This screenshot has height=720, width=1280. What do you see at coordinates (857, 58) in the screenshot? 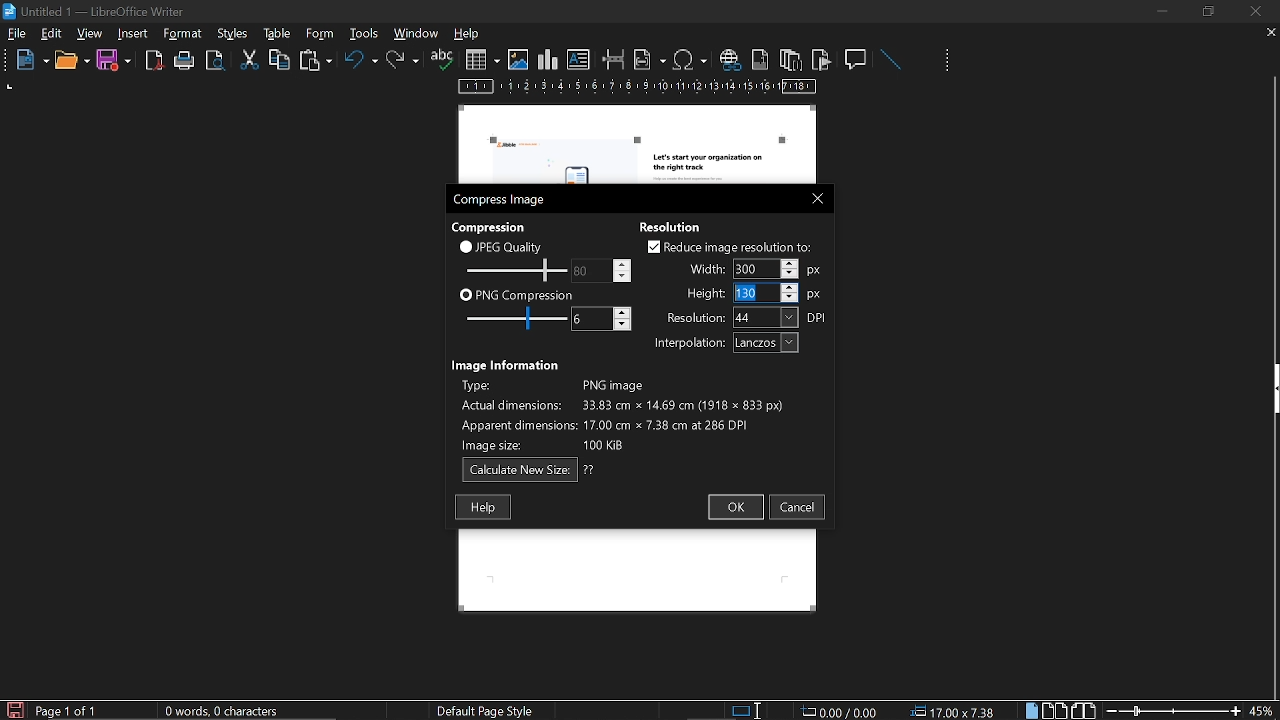
I see `insert comment` at bounding box center [857, 58].